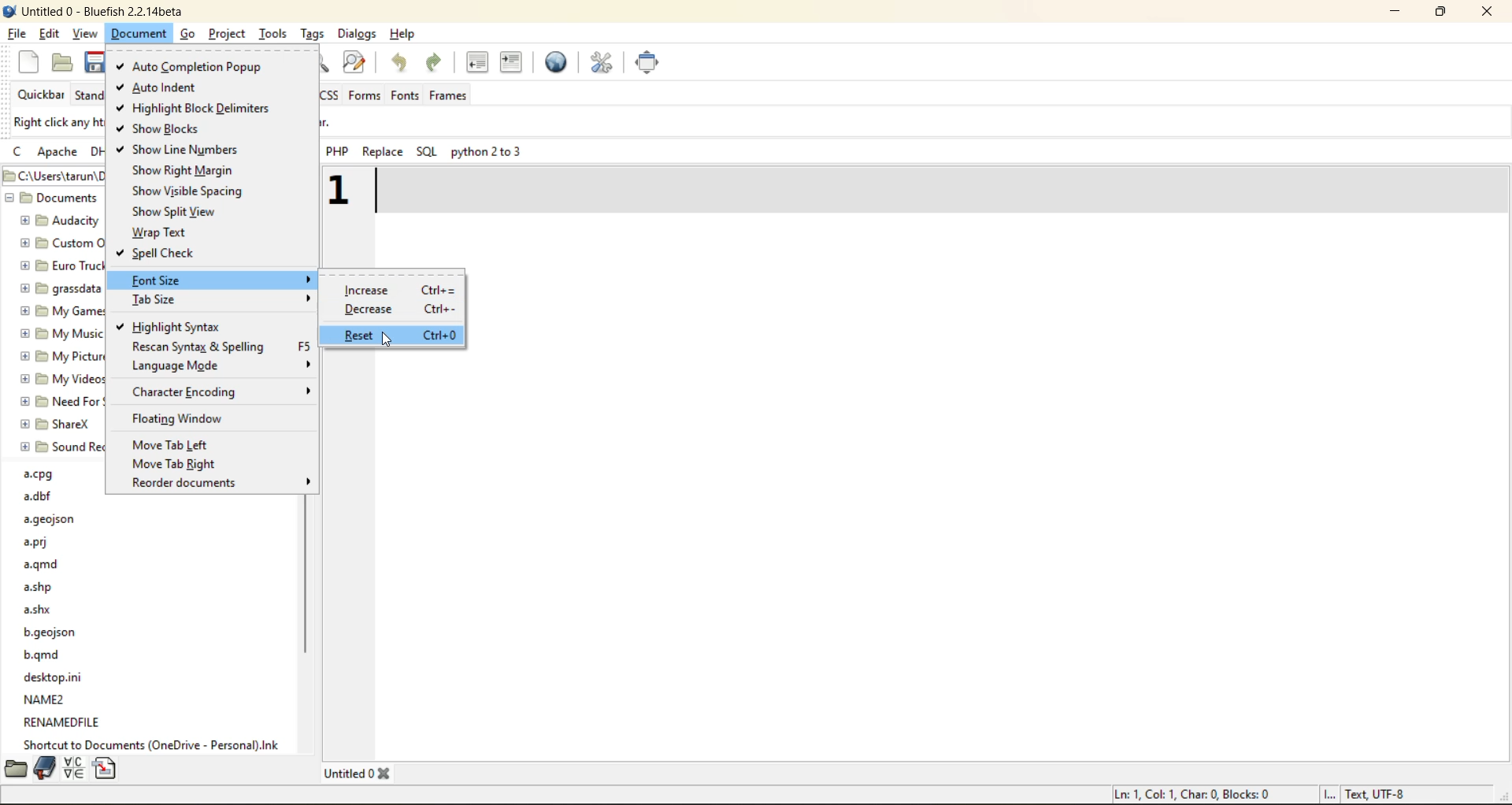  What do you see at coordinates (382, 152) in the screenshot?
I see `replace` at bounding box center [382, 152].